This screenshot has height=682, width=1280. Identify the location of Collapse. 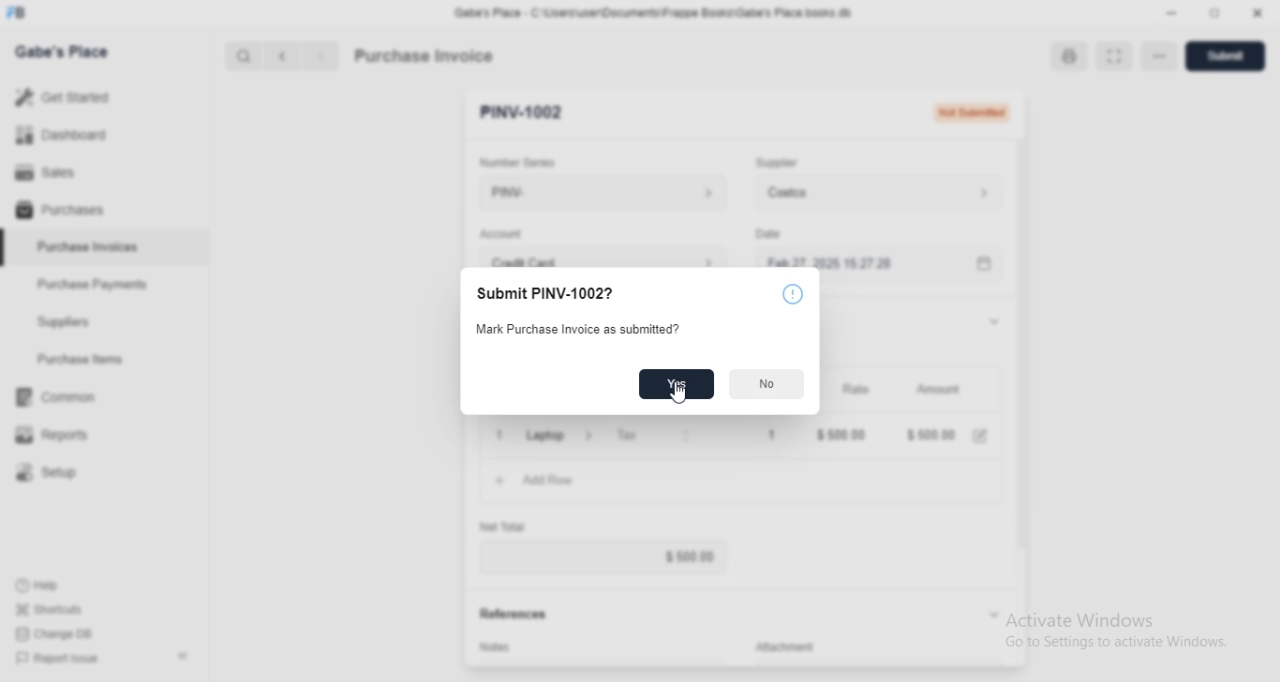
(183, 656).